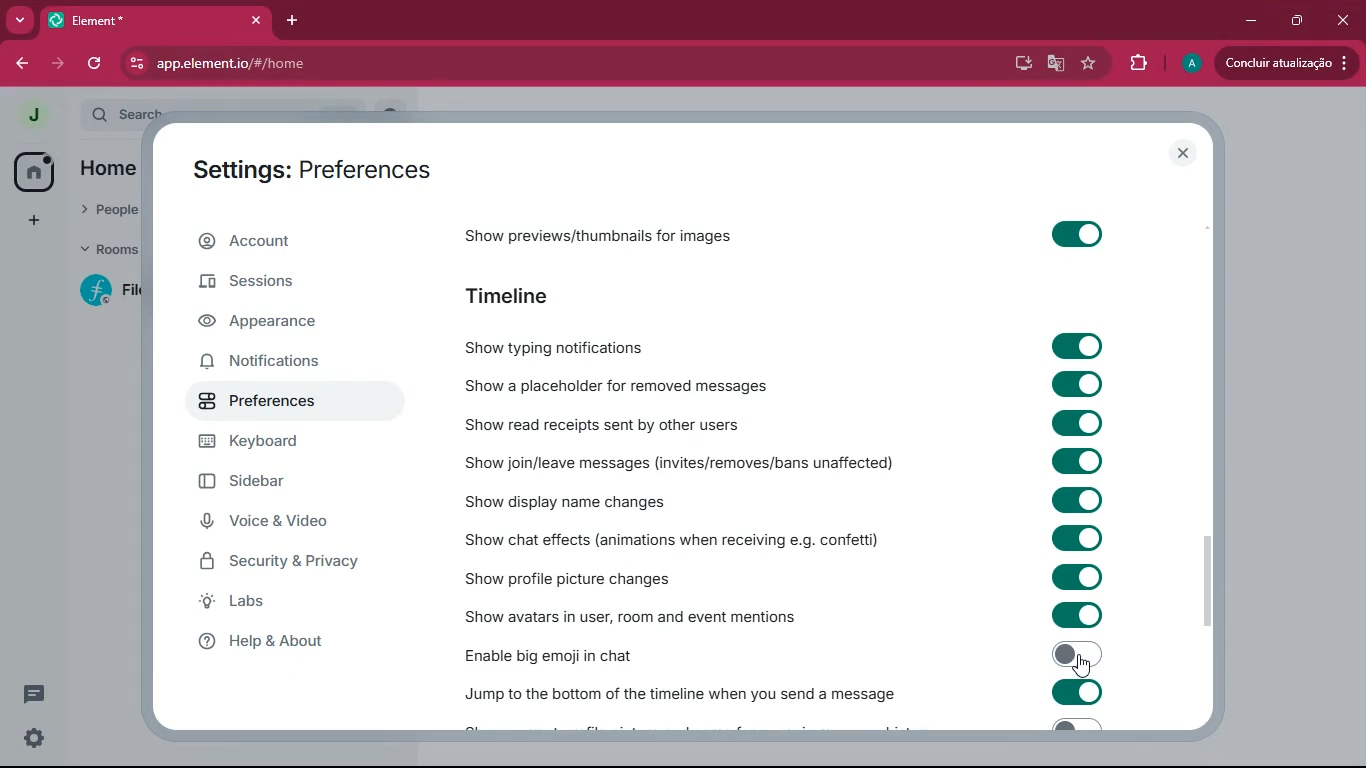 The height and width of the screenshot is (768, 1366). What do you see at coordinates (287, 523) in the screenshot?
I see `voice & video` at bounding box center [287, 523].